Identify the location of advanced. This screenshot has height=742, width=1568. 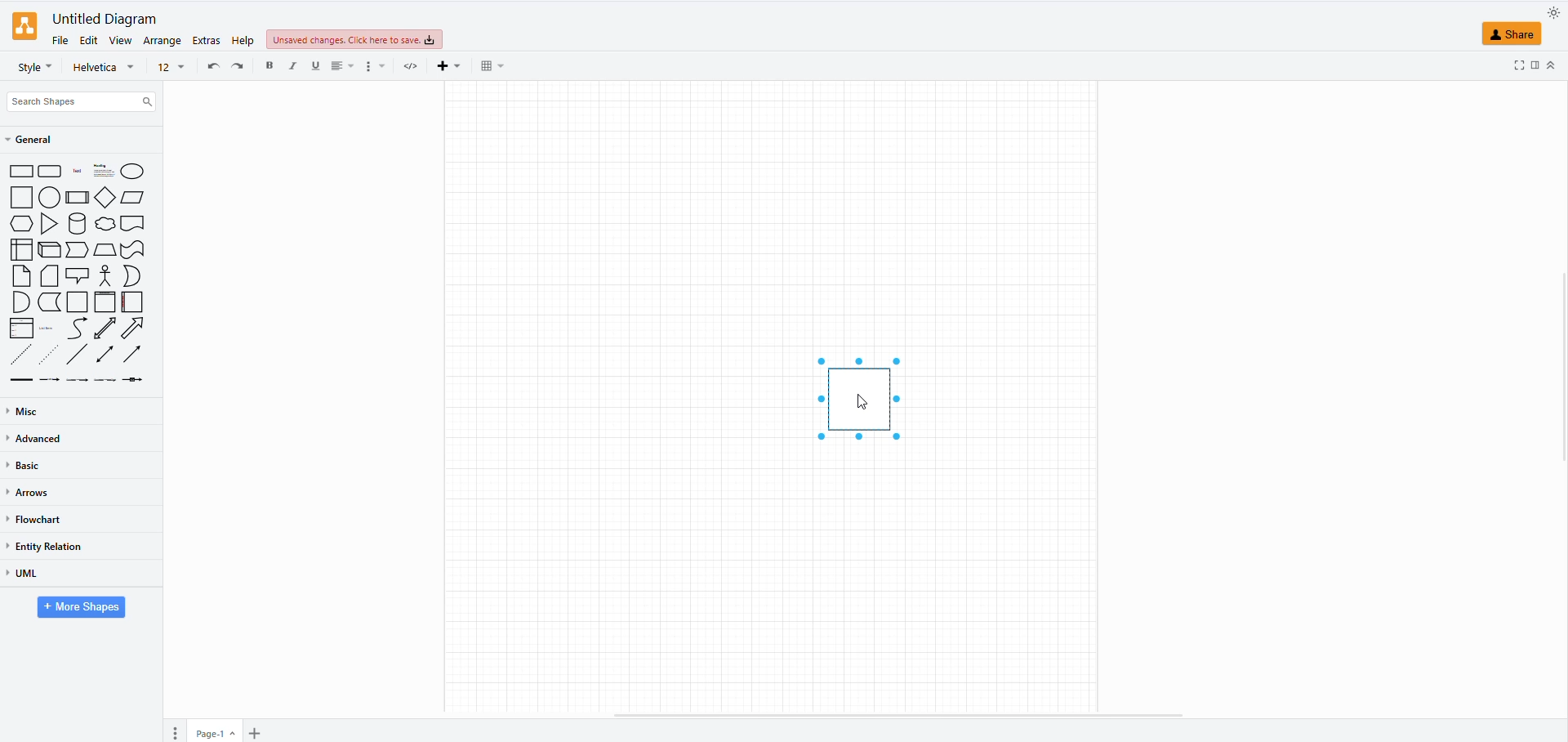
(42, 440).